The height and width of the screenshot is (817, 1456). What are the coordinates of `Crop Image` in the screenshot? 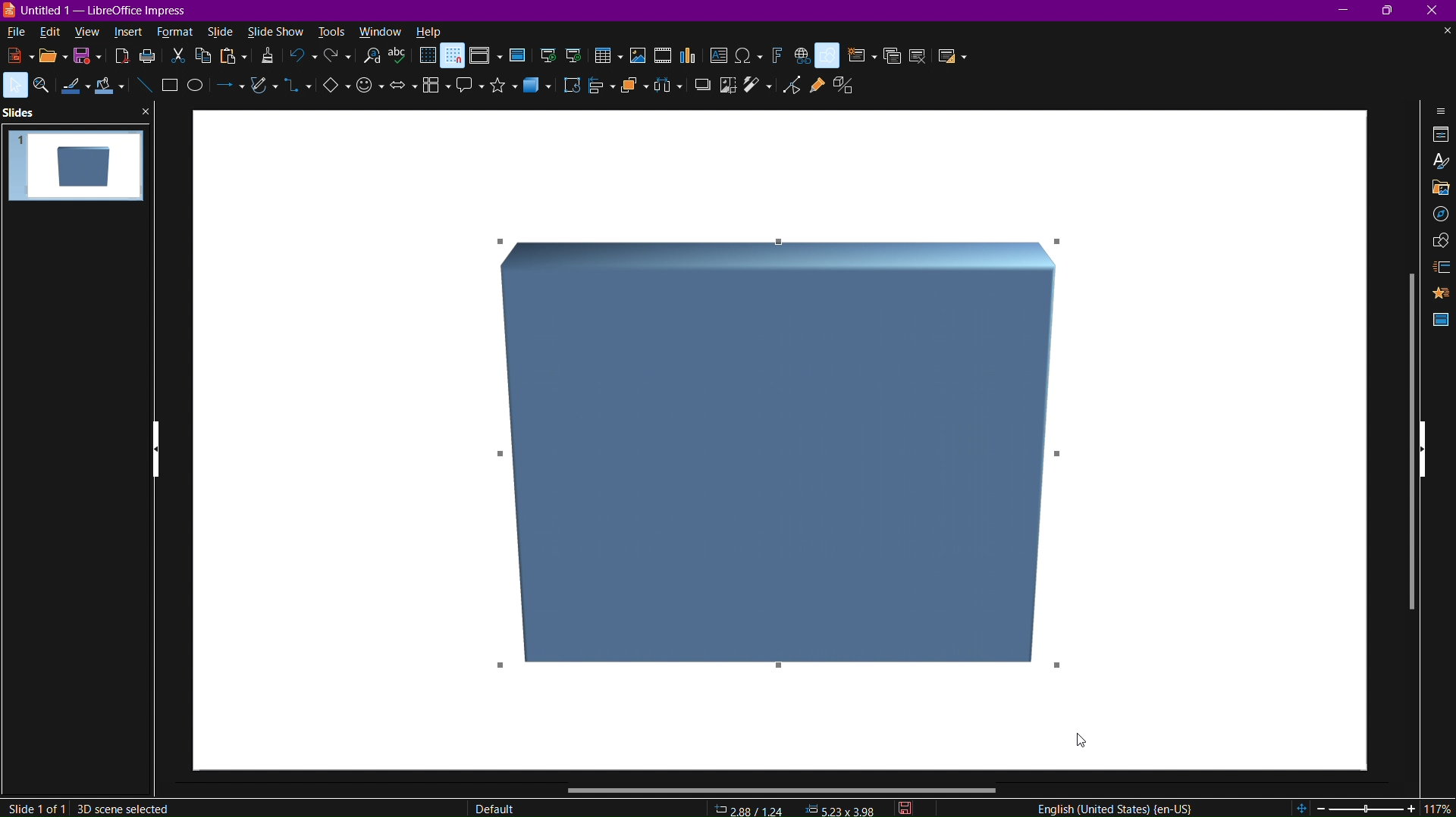 It's located at (725, 89).